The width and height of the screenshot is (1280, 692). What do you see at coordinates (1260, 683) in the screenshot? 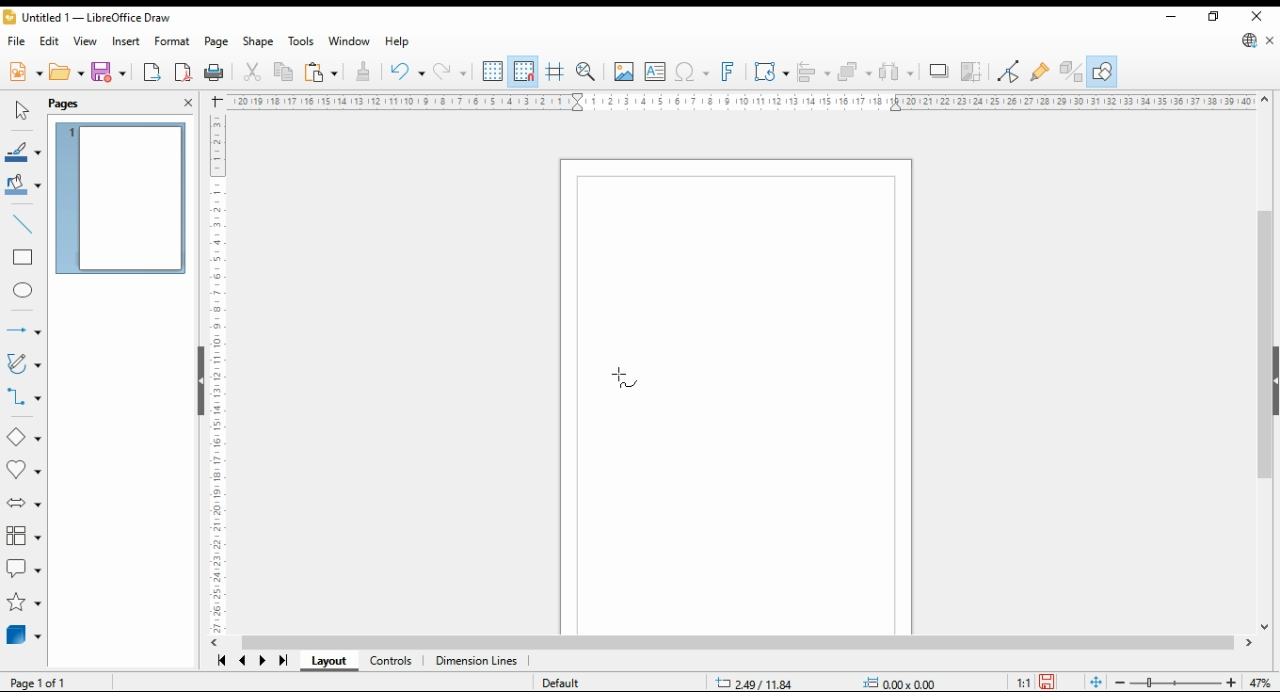
I see `zoom factor` at bounding box center [1260, 683].